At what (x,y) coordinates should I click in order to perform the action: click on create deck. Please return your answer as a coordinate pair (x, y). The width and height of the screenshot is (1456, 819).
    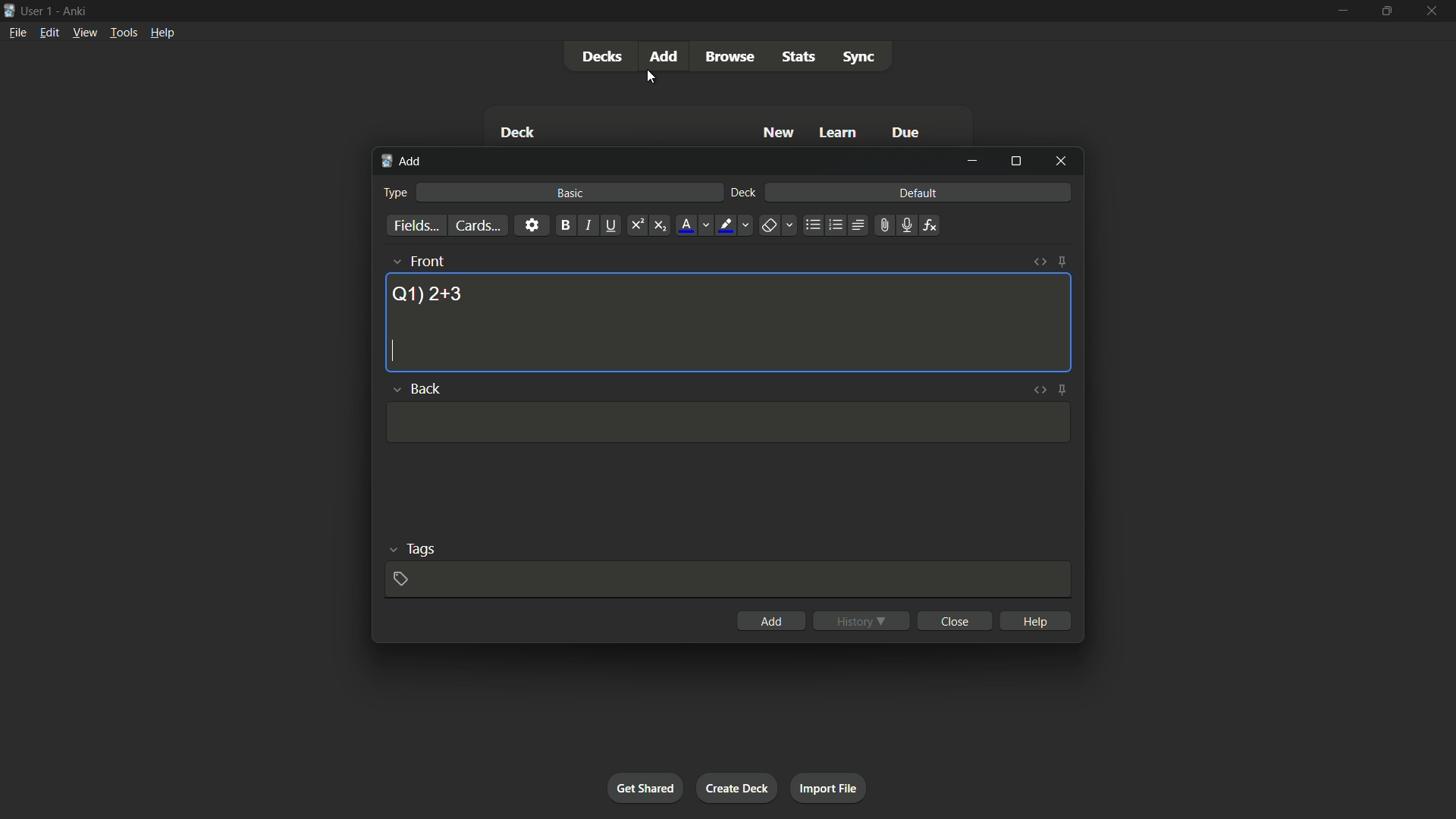
    Looking at the image, I should click on (736, 787).